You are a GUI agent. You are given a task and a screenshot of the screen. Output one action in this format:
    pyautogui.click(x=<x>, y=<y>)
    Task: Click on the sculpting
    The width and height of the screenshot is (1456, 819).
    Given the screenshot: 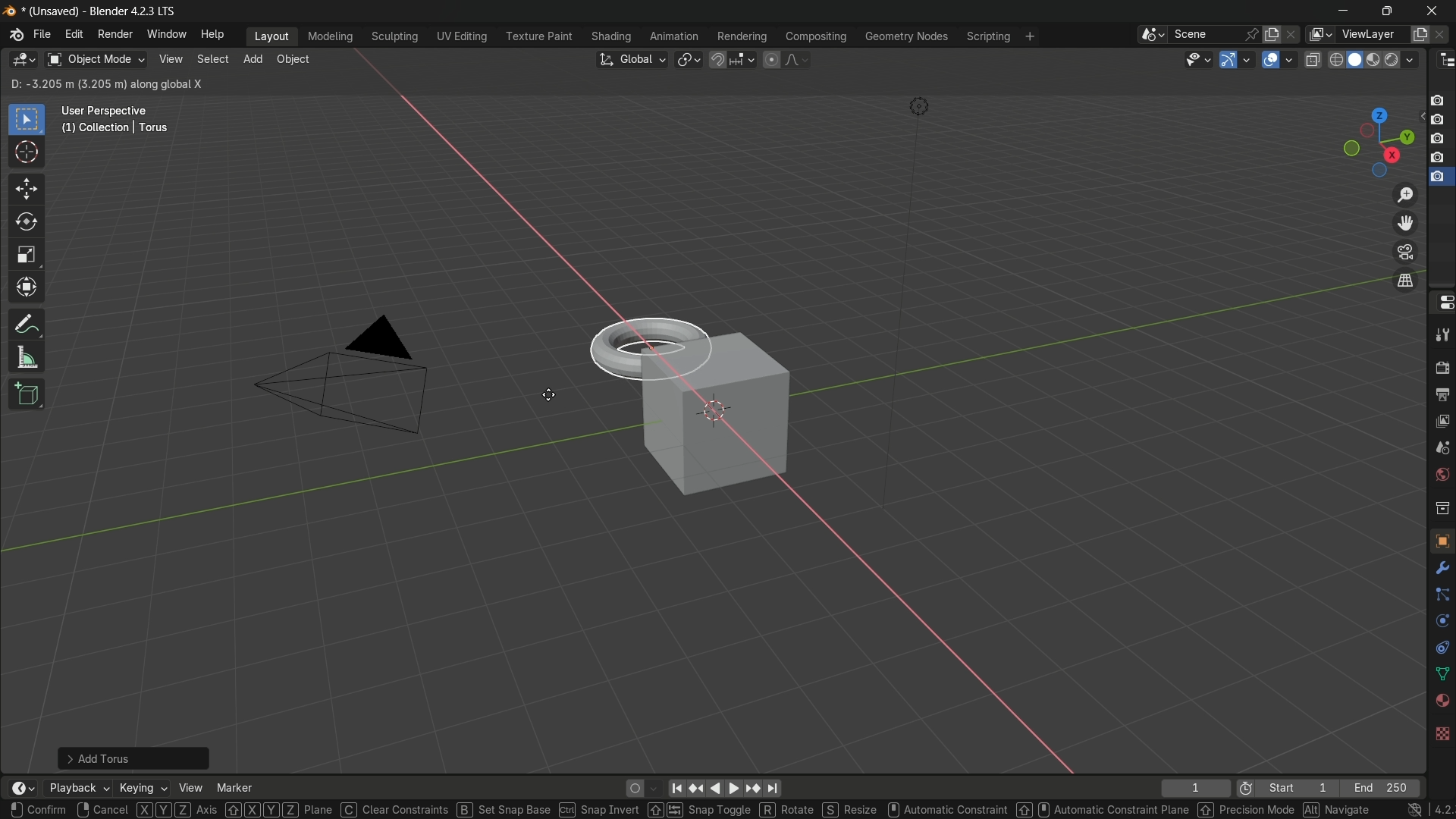 What is the action you would take?
    pyautogui.click(x=396, y=36)
    